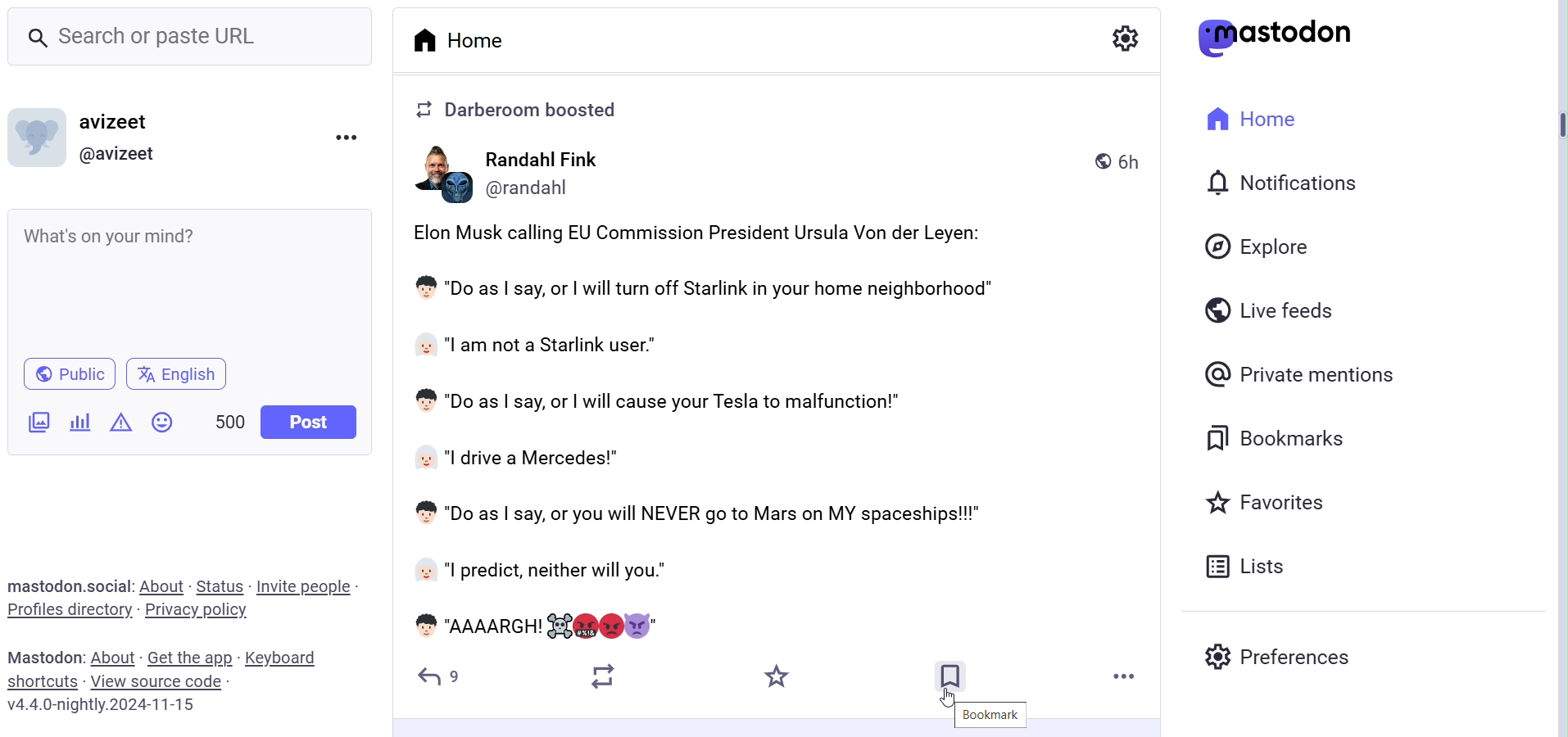 The image size is (1568, 737). I want to click on Randahl Fink, so click(561, 160).